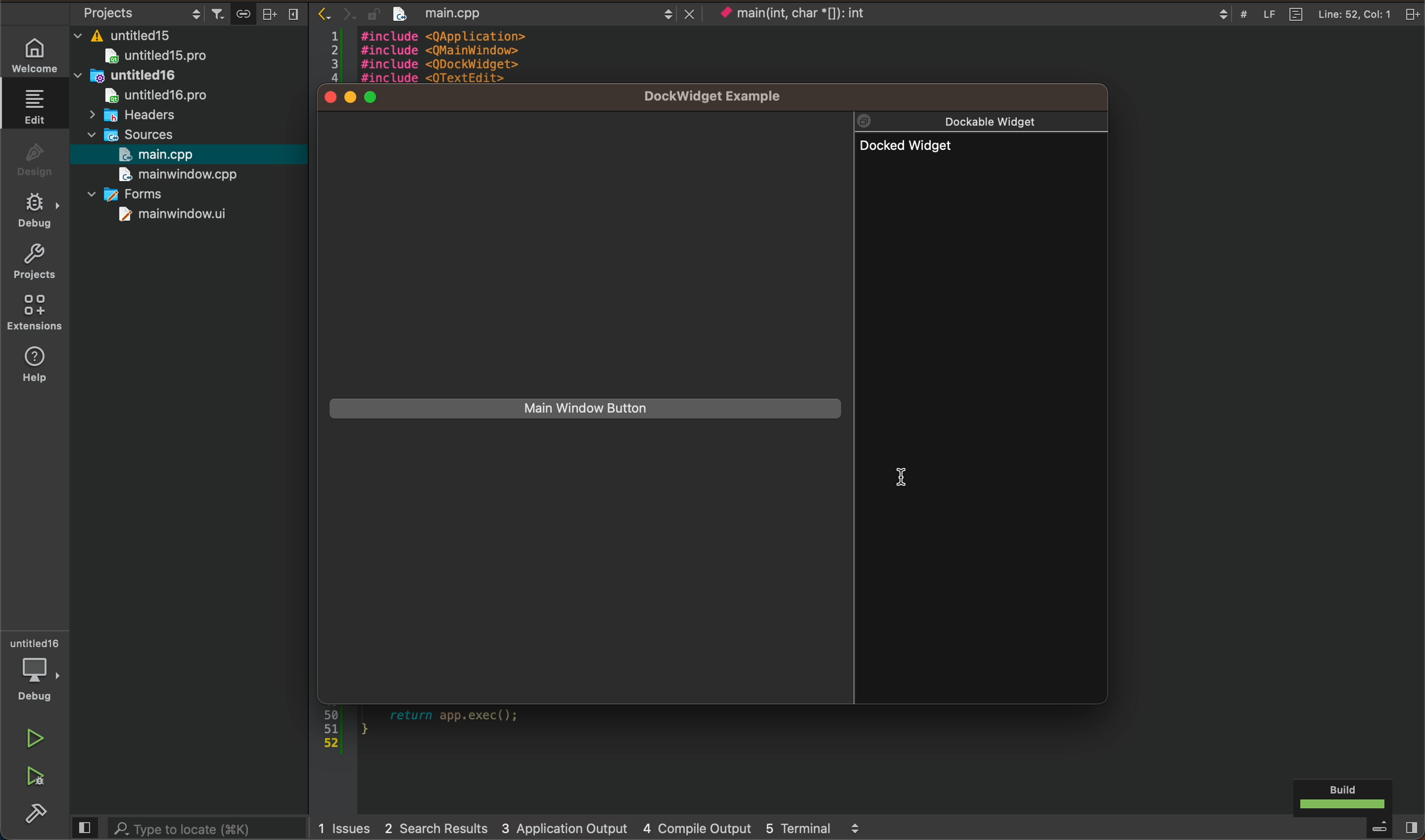 The width and height of the screenshot is (1425, 840). Describe the element at coordinates (35, 314) in the screenshot. I see `extensions` at that location.